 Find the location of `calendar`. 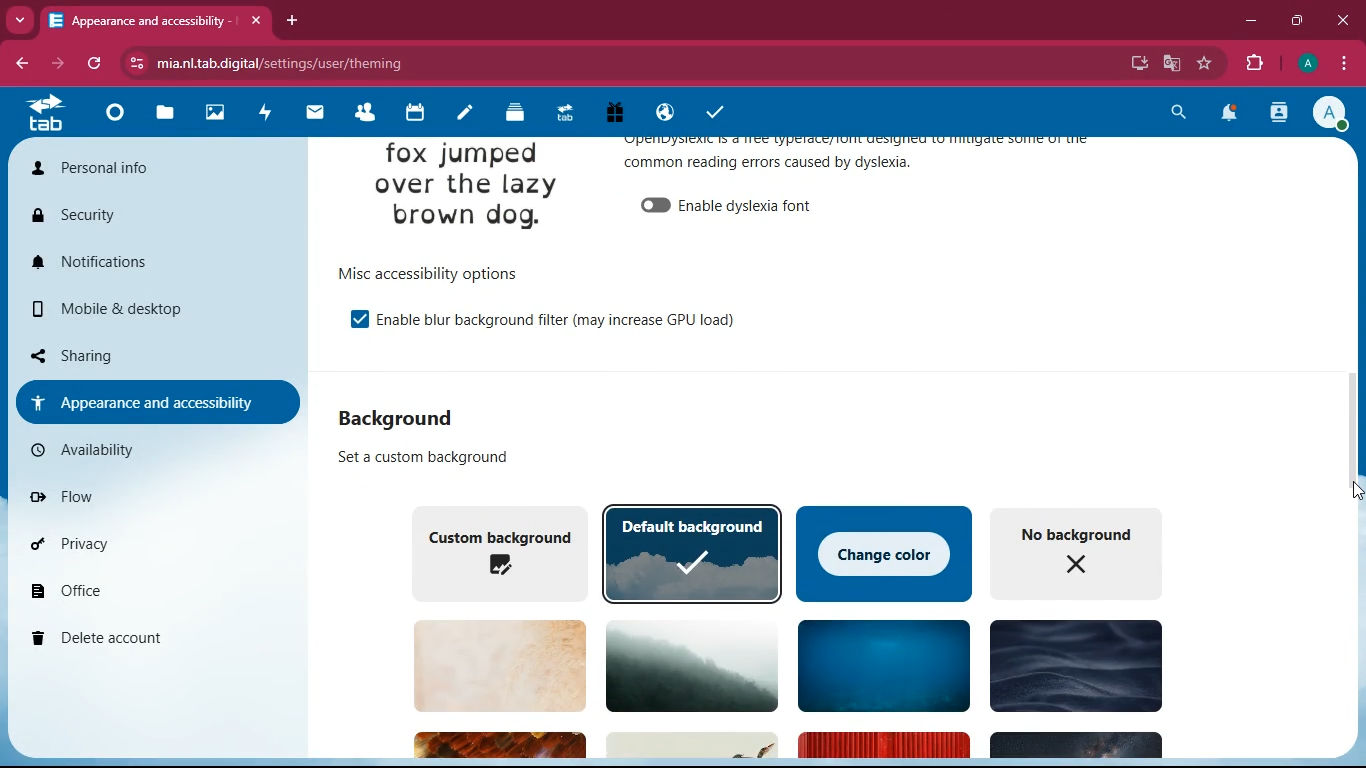

calendar is located at coordinates (417, 114).